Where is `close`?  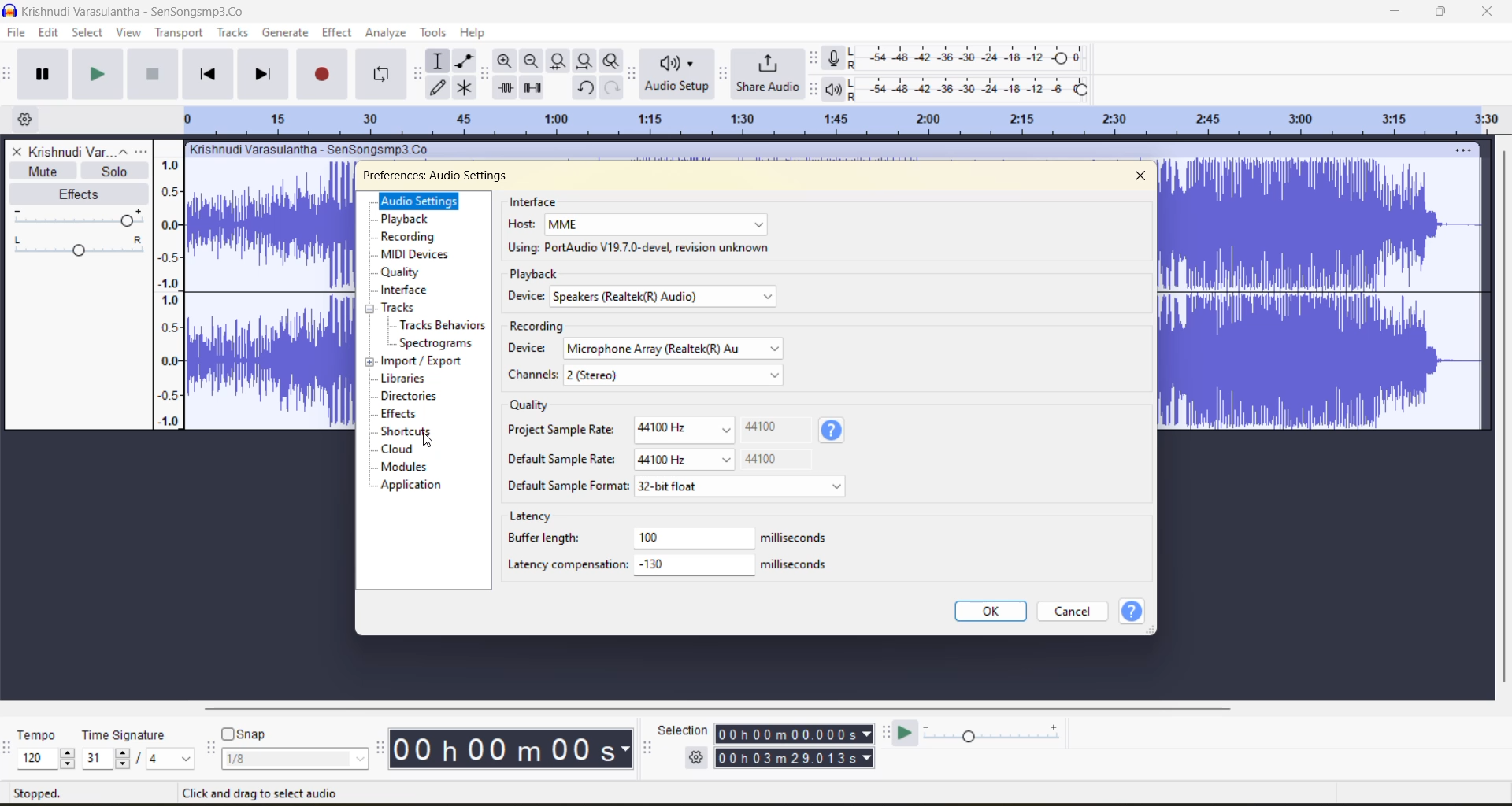 close is located at coordinates (1141, 176).